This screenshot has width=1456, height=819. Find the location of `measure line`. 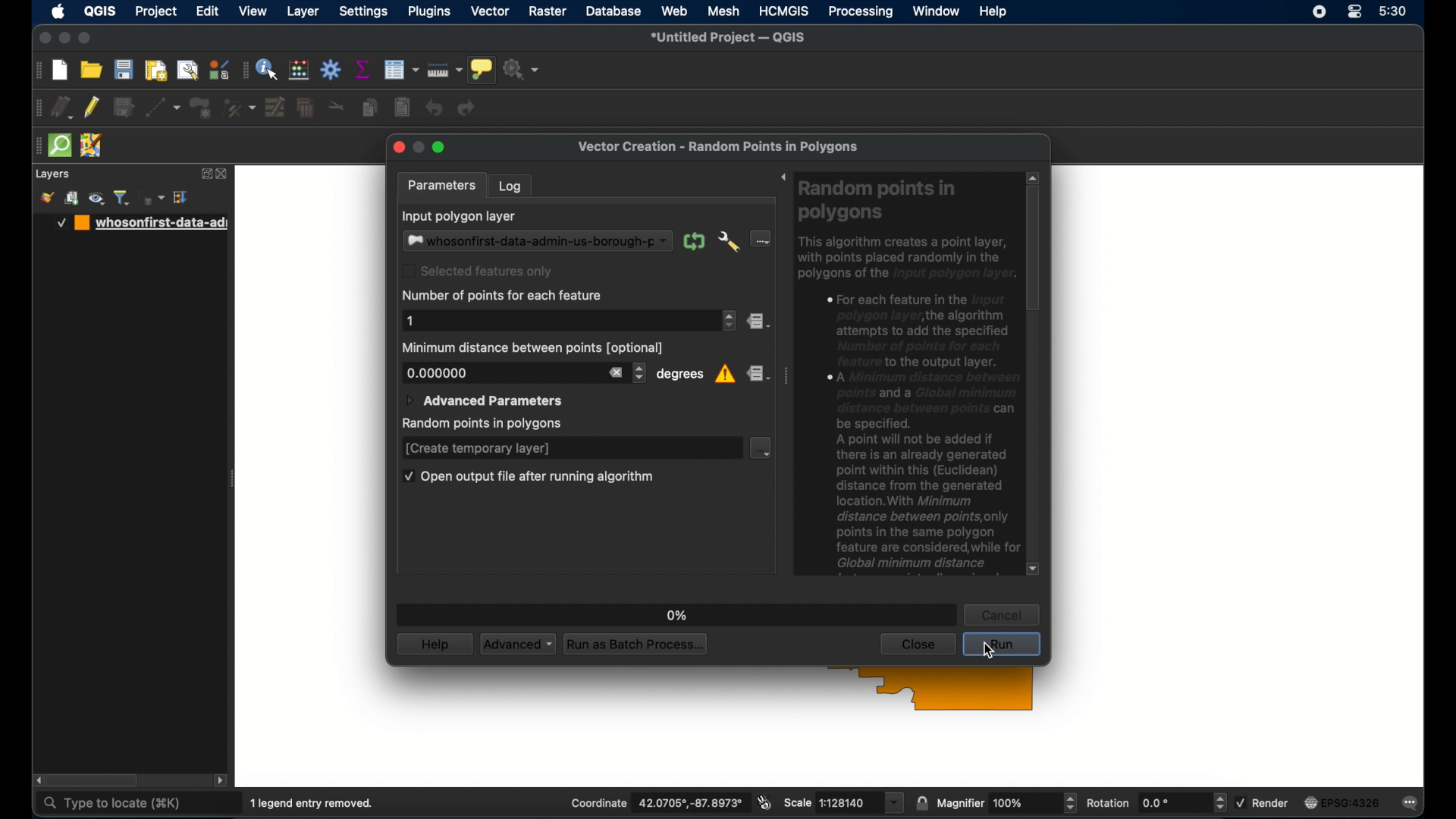

measure line is located at coordinates (444, 71).